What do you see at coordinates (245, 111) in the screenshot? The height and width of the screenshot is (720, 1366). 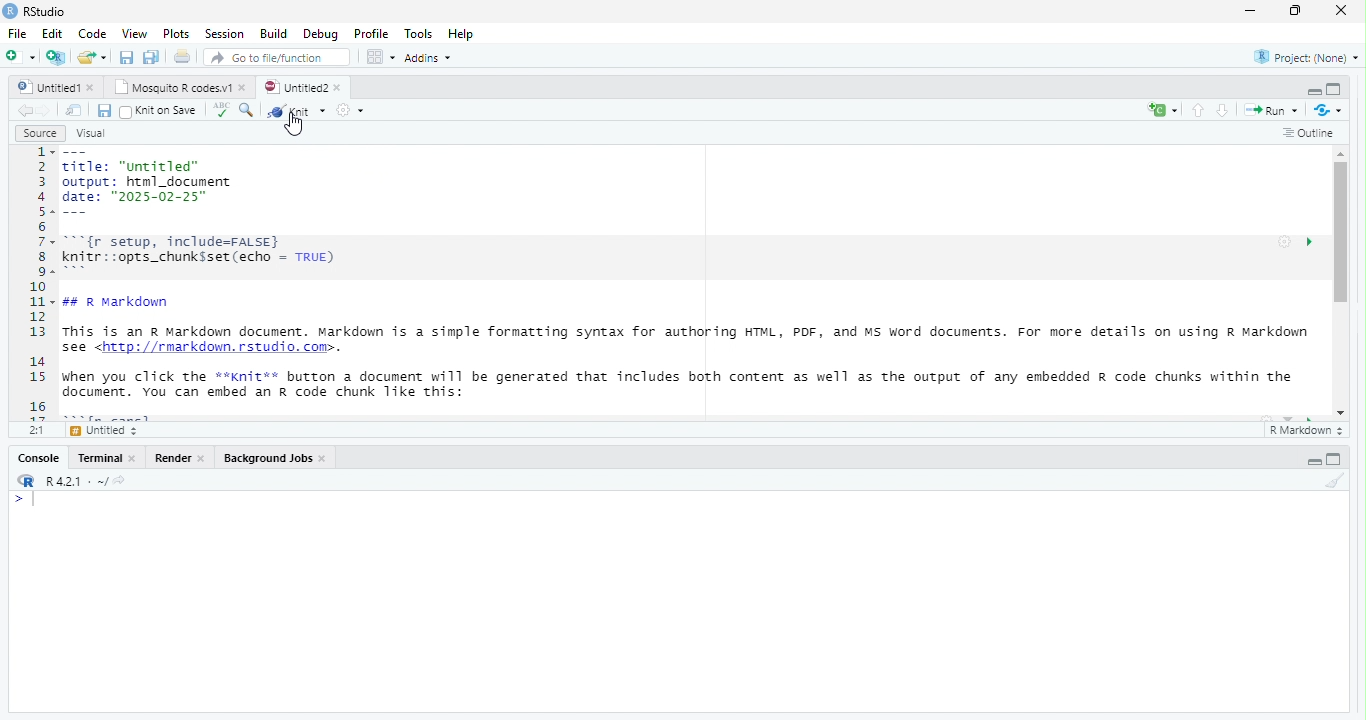 I see `search` at bounding box center [245, 111].